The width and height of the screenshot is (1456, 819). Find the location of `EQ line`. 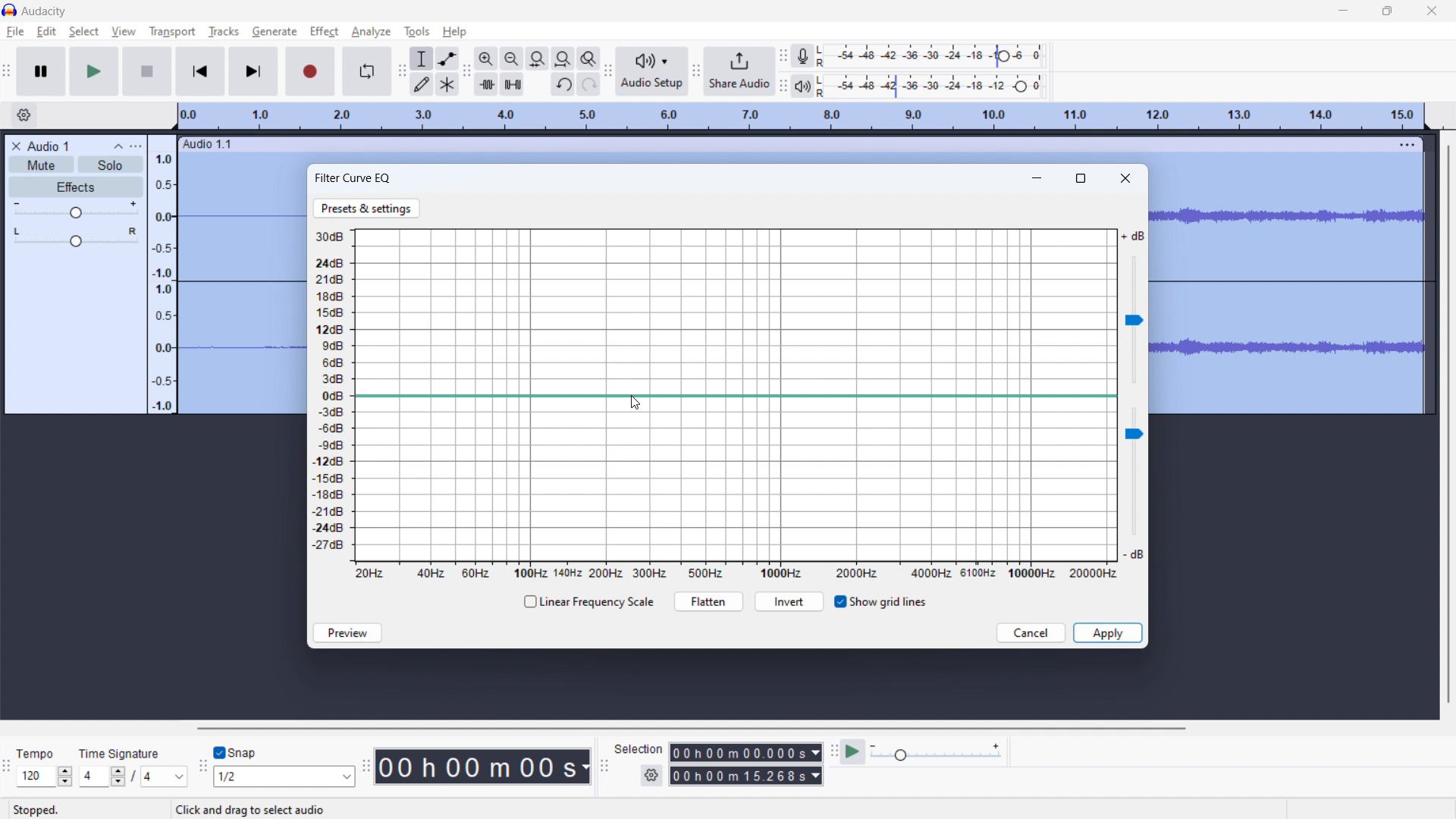

EQ line is located at coordinates (735, 396).